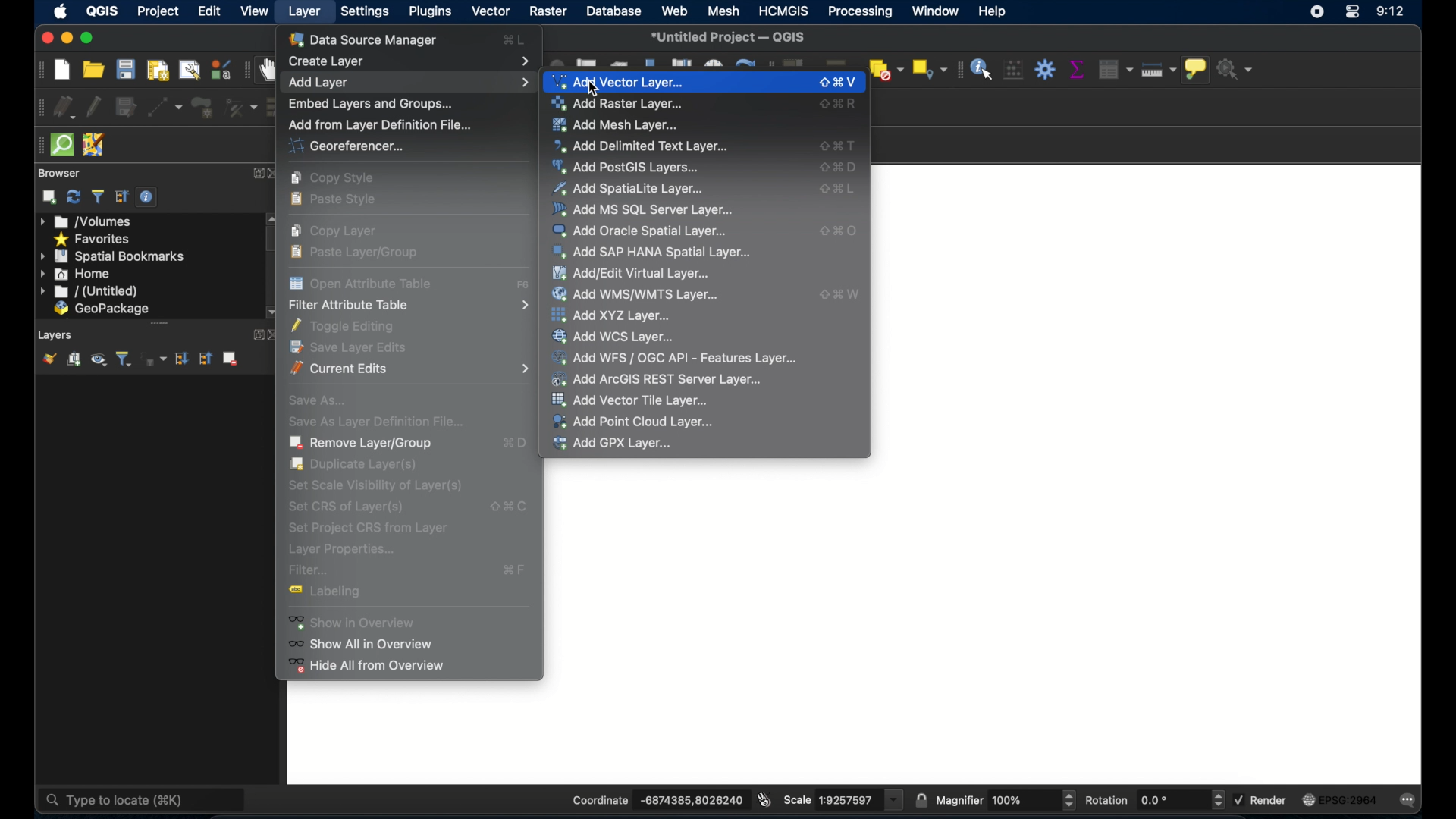 The image size is (1456, 819). Describe the element at coordinates (704, 168) in the screenshot. I see `Add PostGIS Layers...` at that location.